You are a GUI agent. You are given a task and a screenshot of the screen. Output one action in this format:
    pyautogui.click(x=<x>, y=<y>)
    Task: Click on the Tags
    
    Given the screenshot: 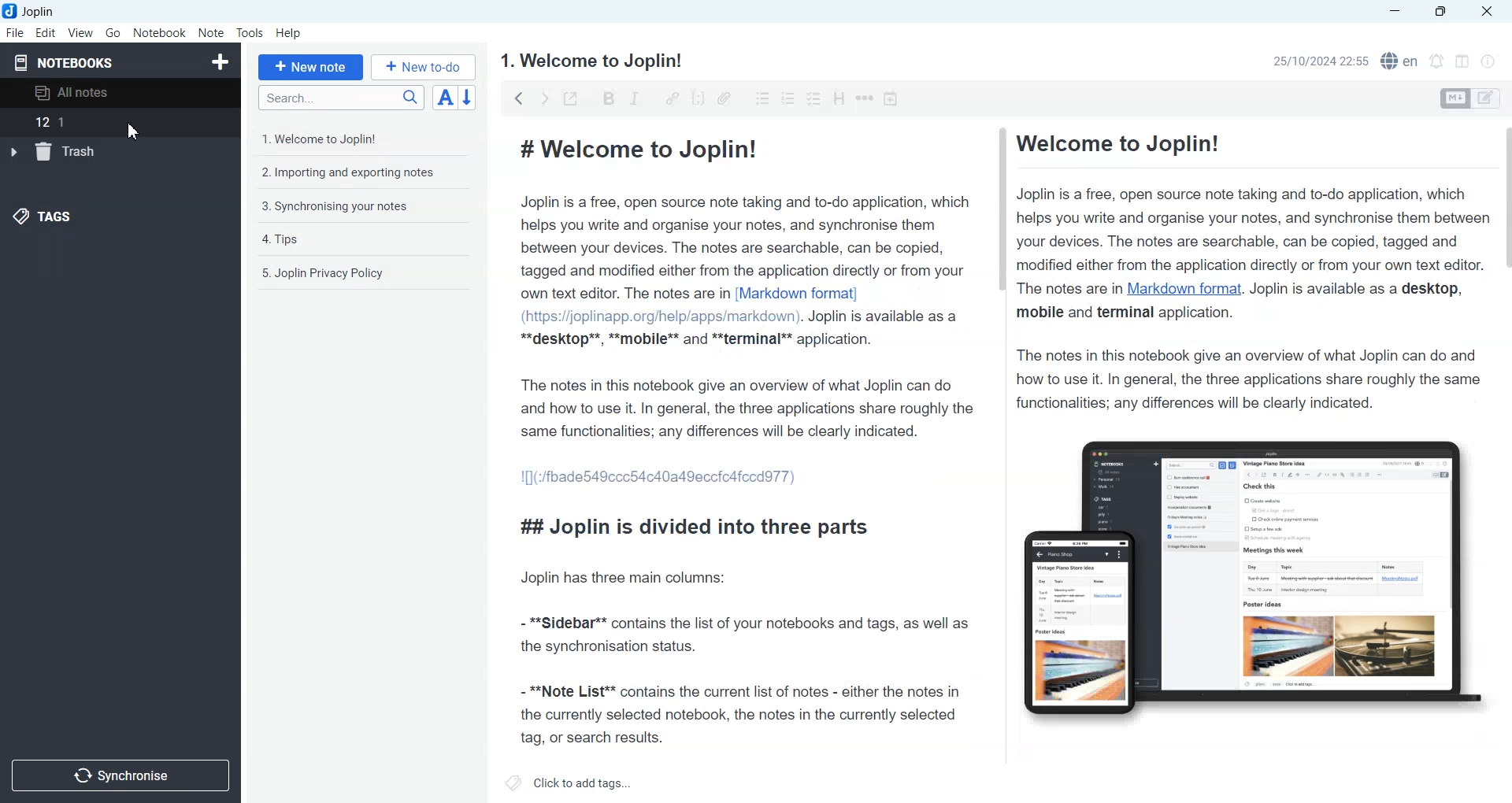 What is the action you would take?
    pyautogui.click(x=41, y=216)
    